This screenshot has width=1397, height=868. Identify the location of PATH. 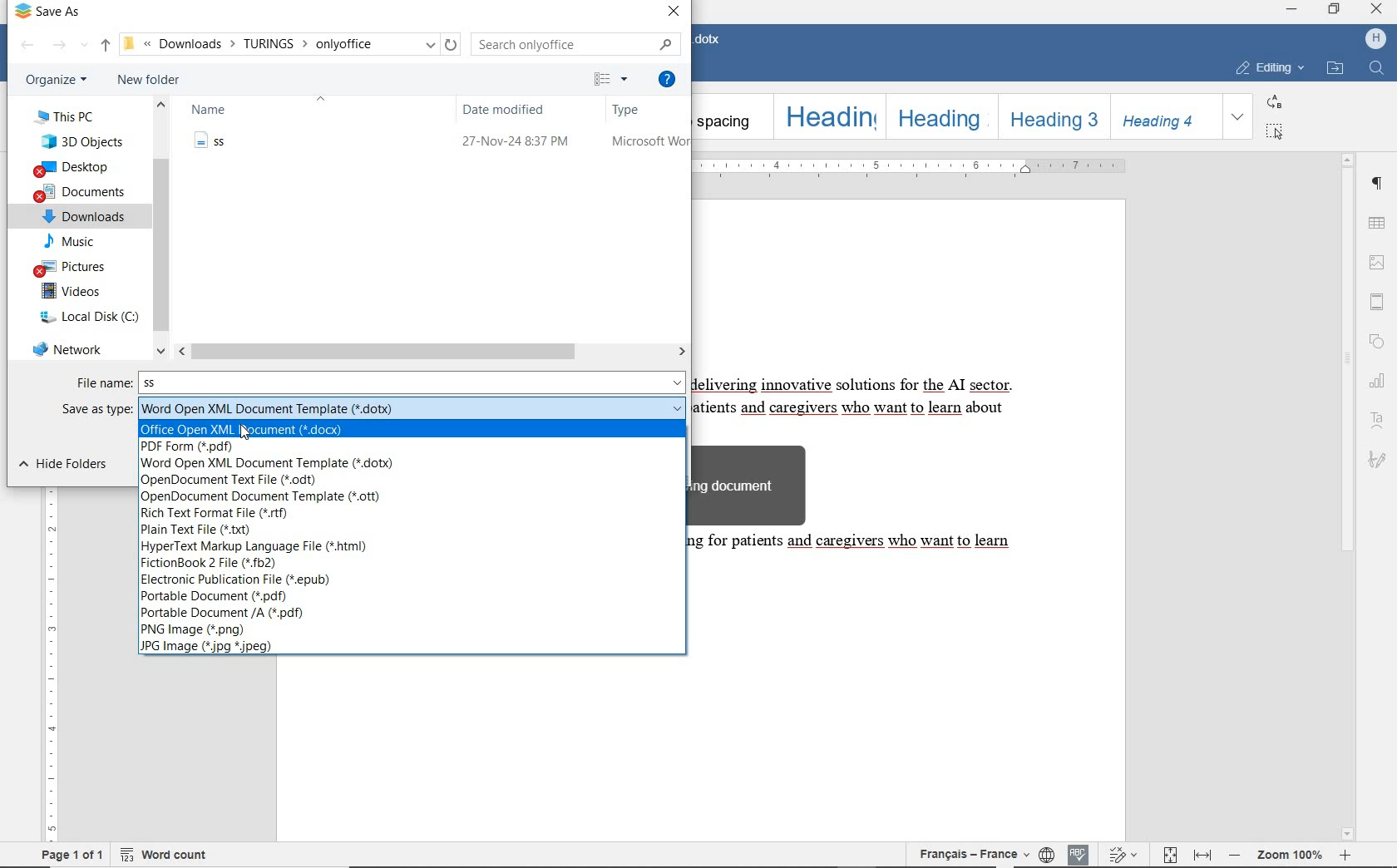
(279, 44).